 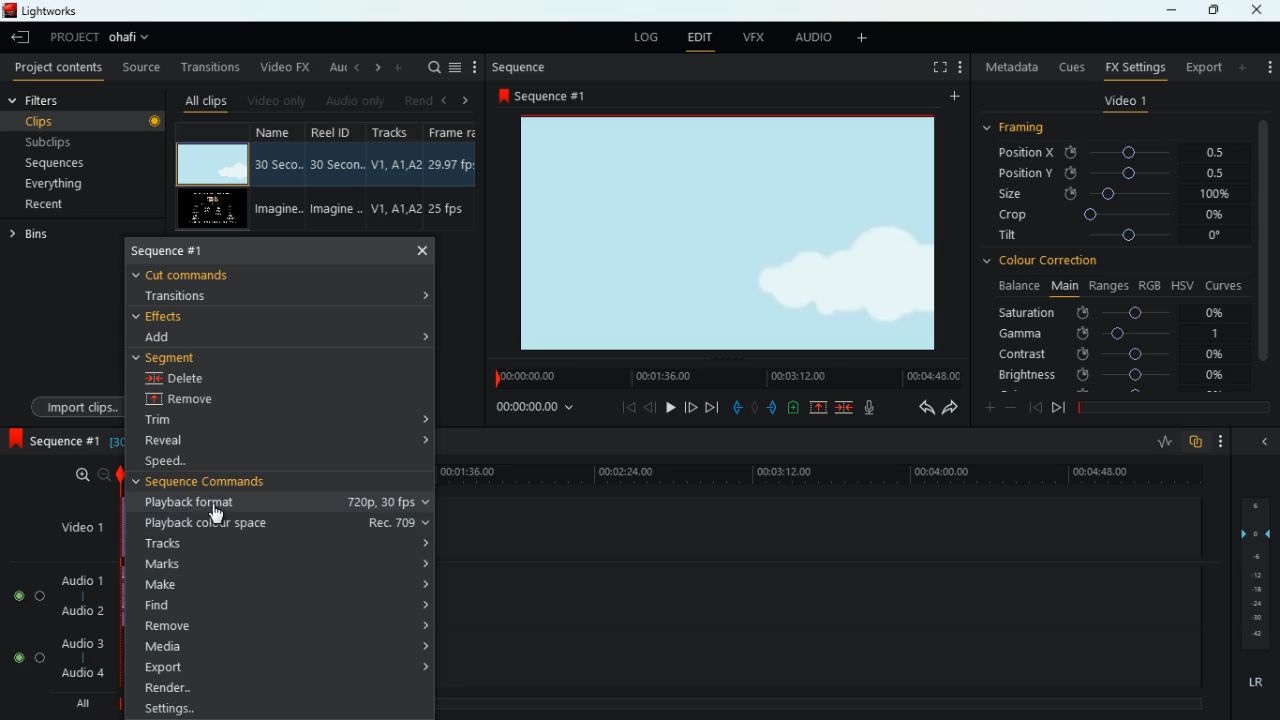 I want to click on media, so click(x=283, y=647).